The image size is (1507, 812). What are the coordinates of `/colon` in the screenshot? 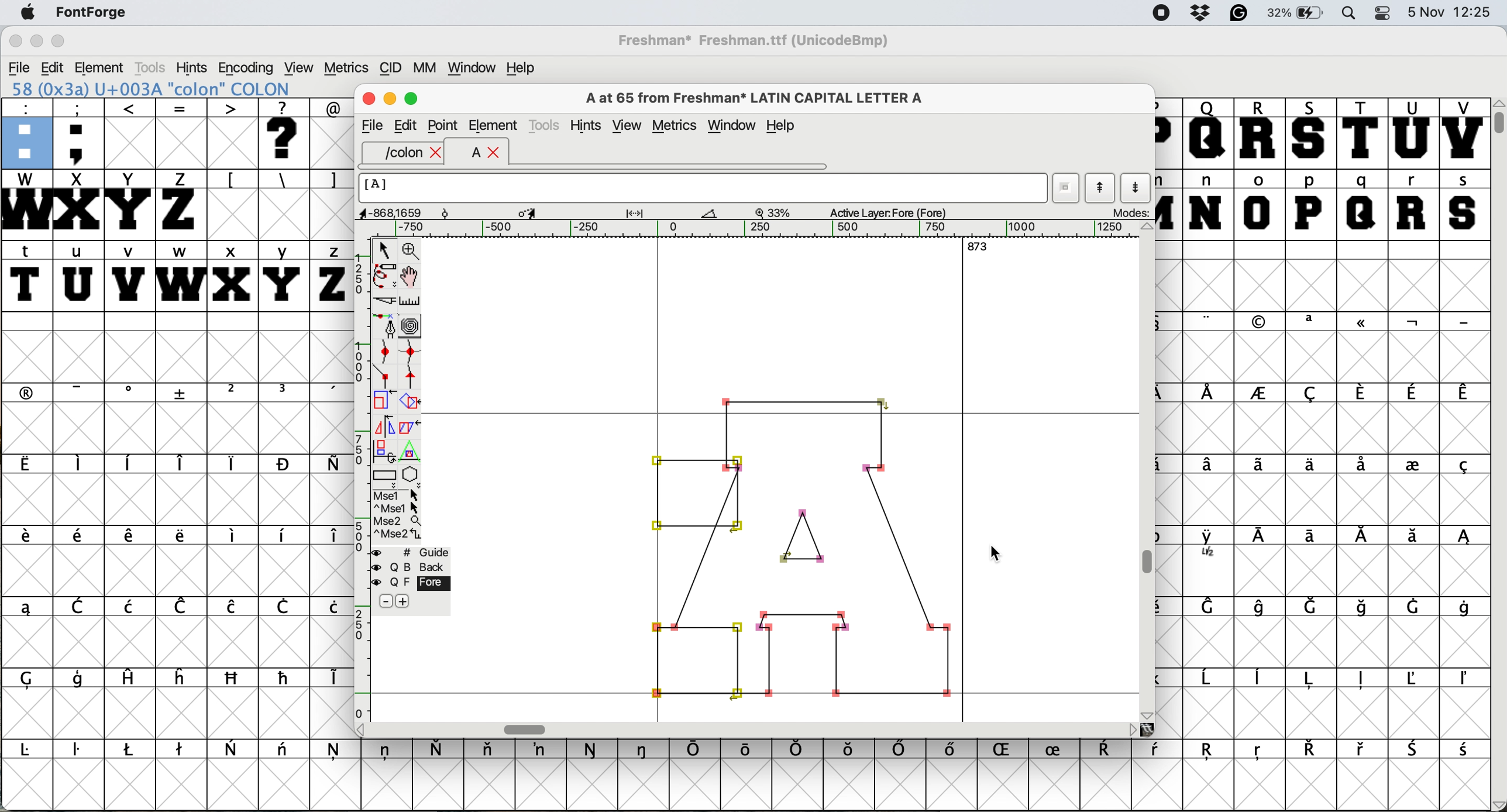 It's located at (395, 153).